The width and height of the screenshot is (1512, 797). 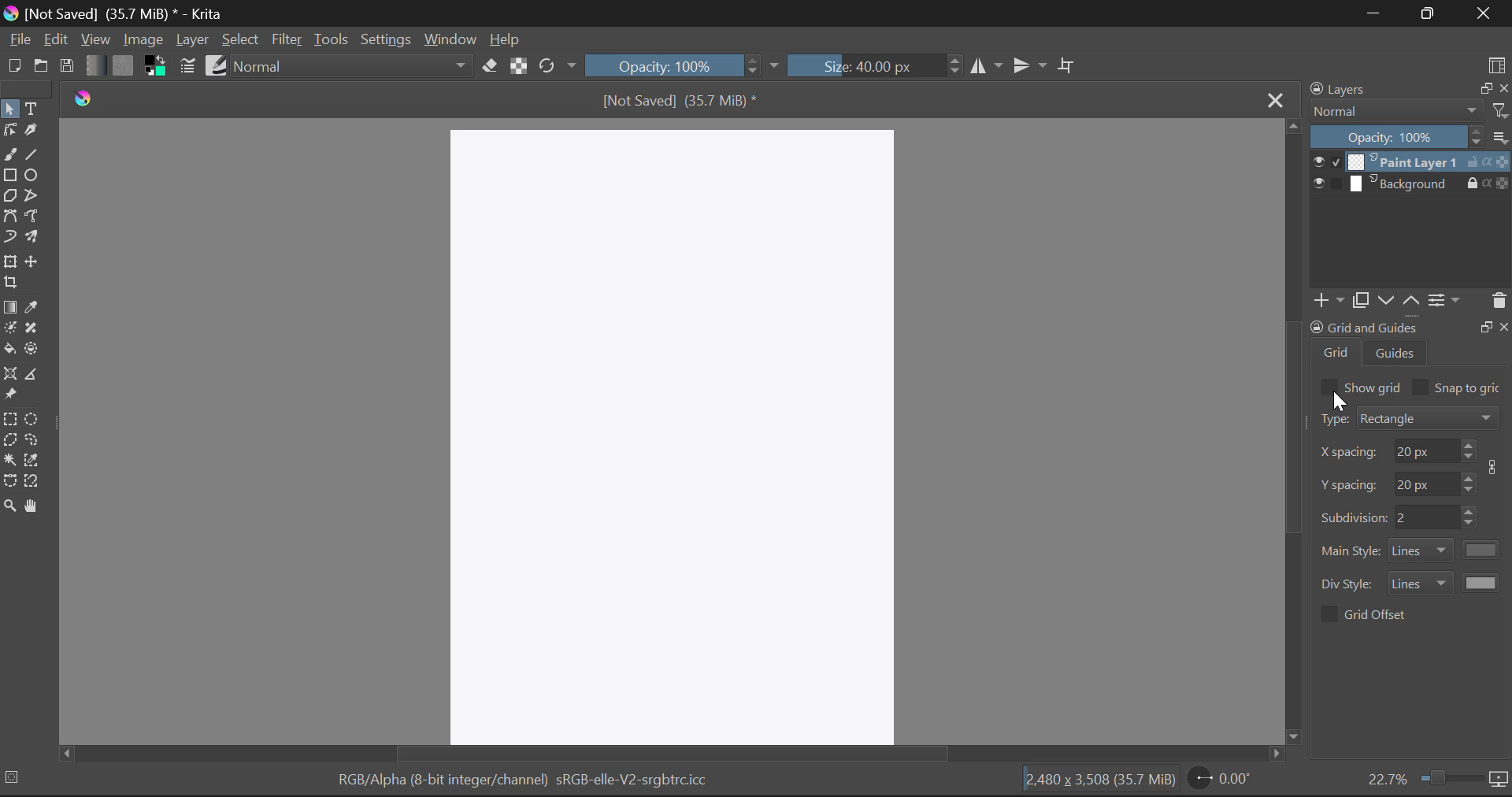 I want to click on Zoom, so click(x=9, y=506).